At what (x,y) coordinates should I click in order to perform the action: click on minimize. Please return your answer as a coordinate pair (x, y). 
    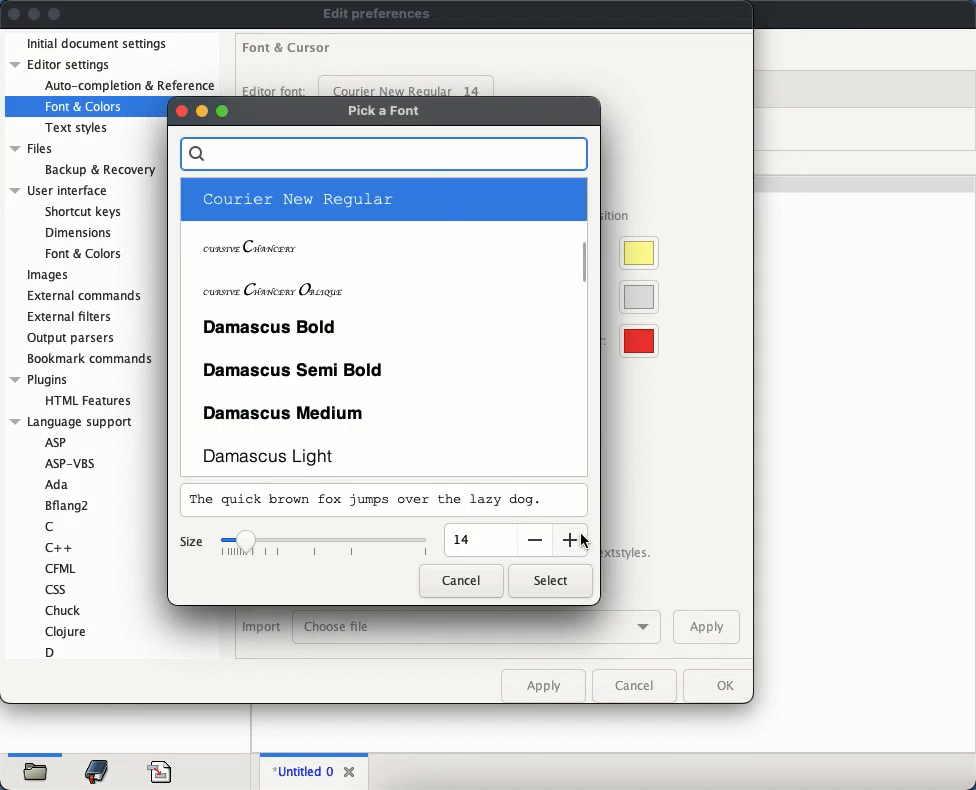
    Looking at the image, I should click on (202, 111).